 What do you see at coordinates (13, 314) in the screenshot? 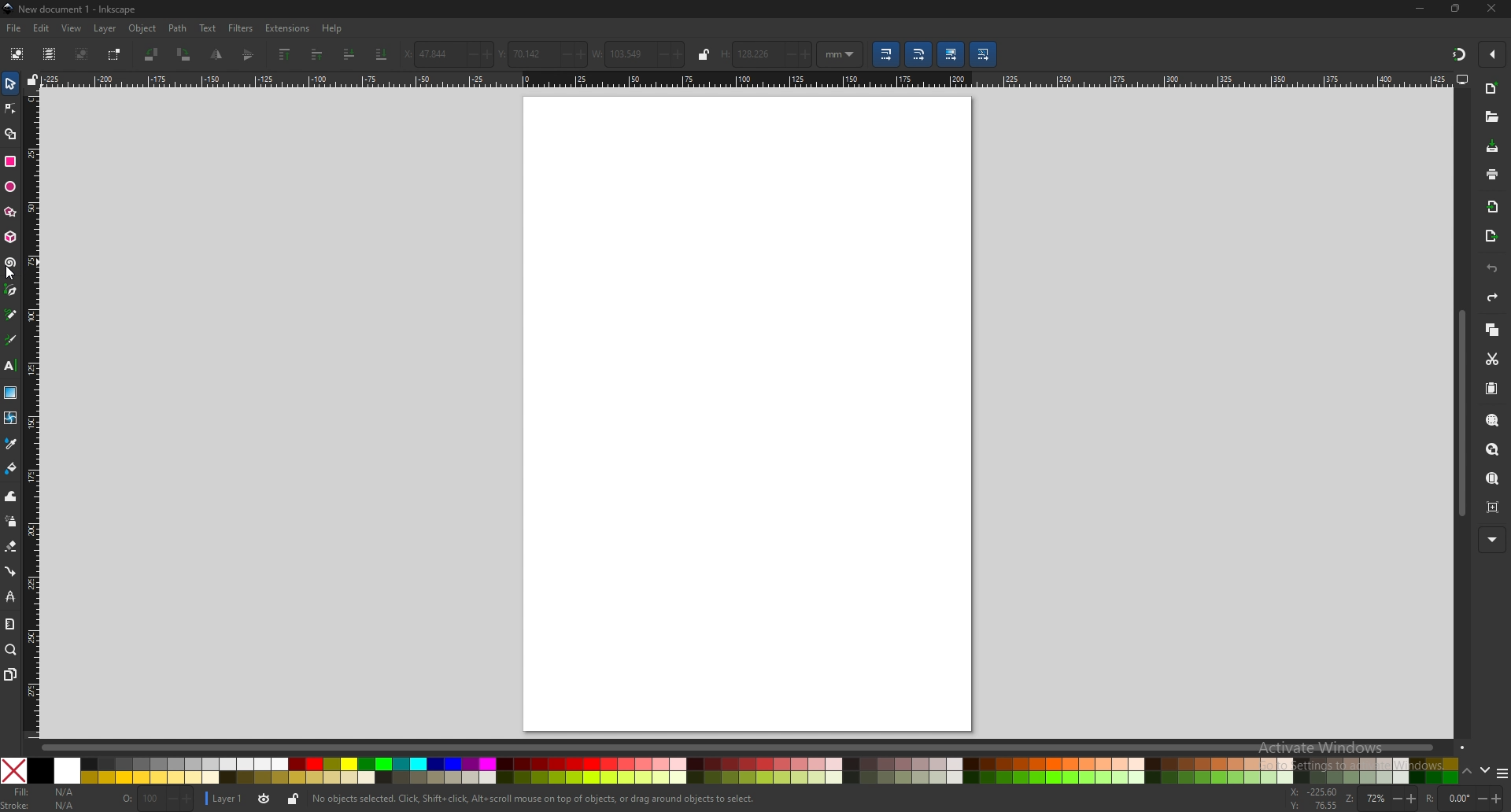
I see `pencil` at bounding box center [13, 314].